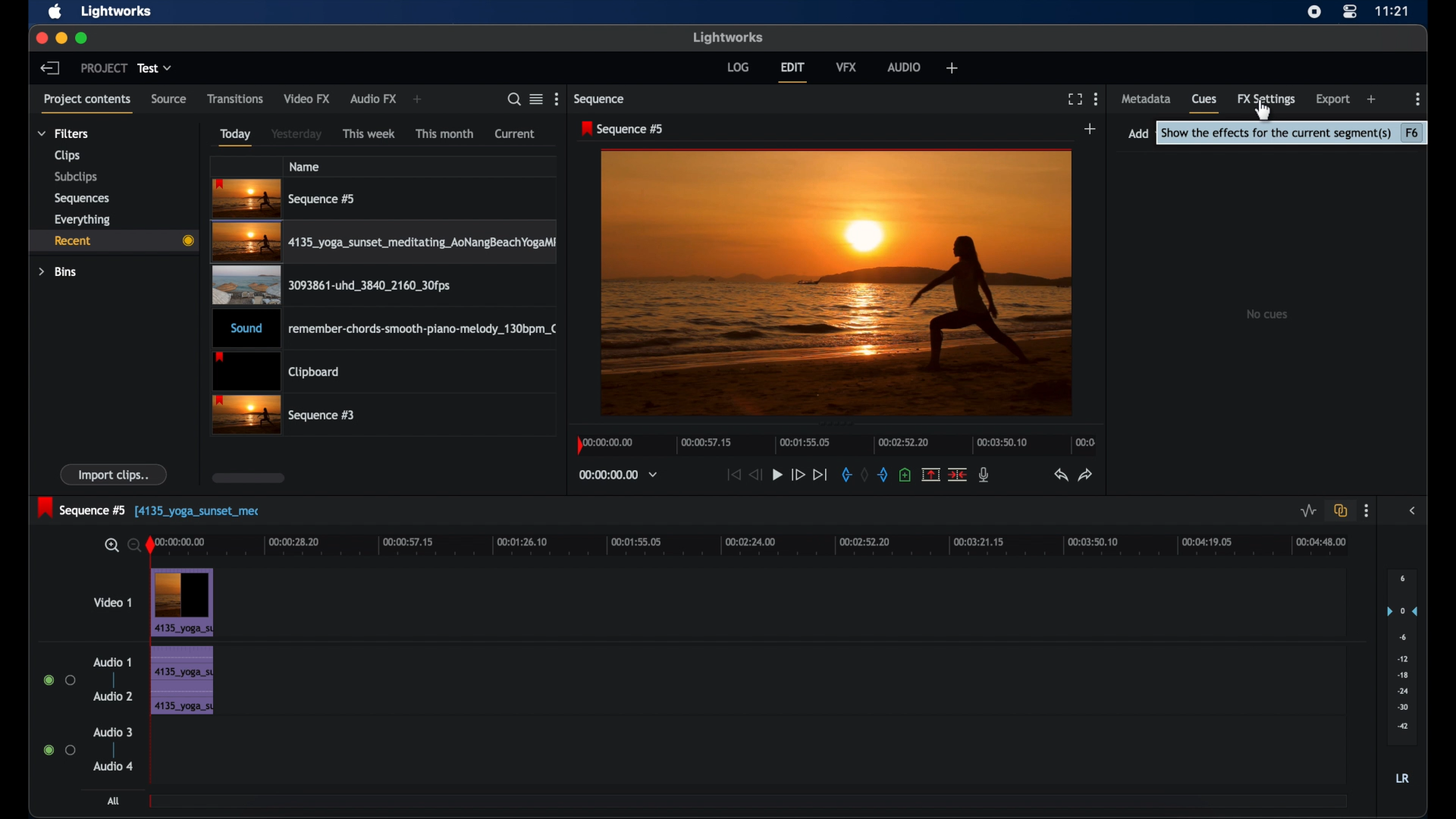 The image size is (1456, 819). I want to click on sequence, so click(623, 129).